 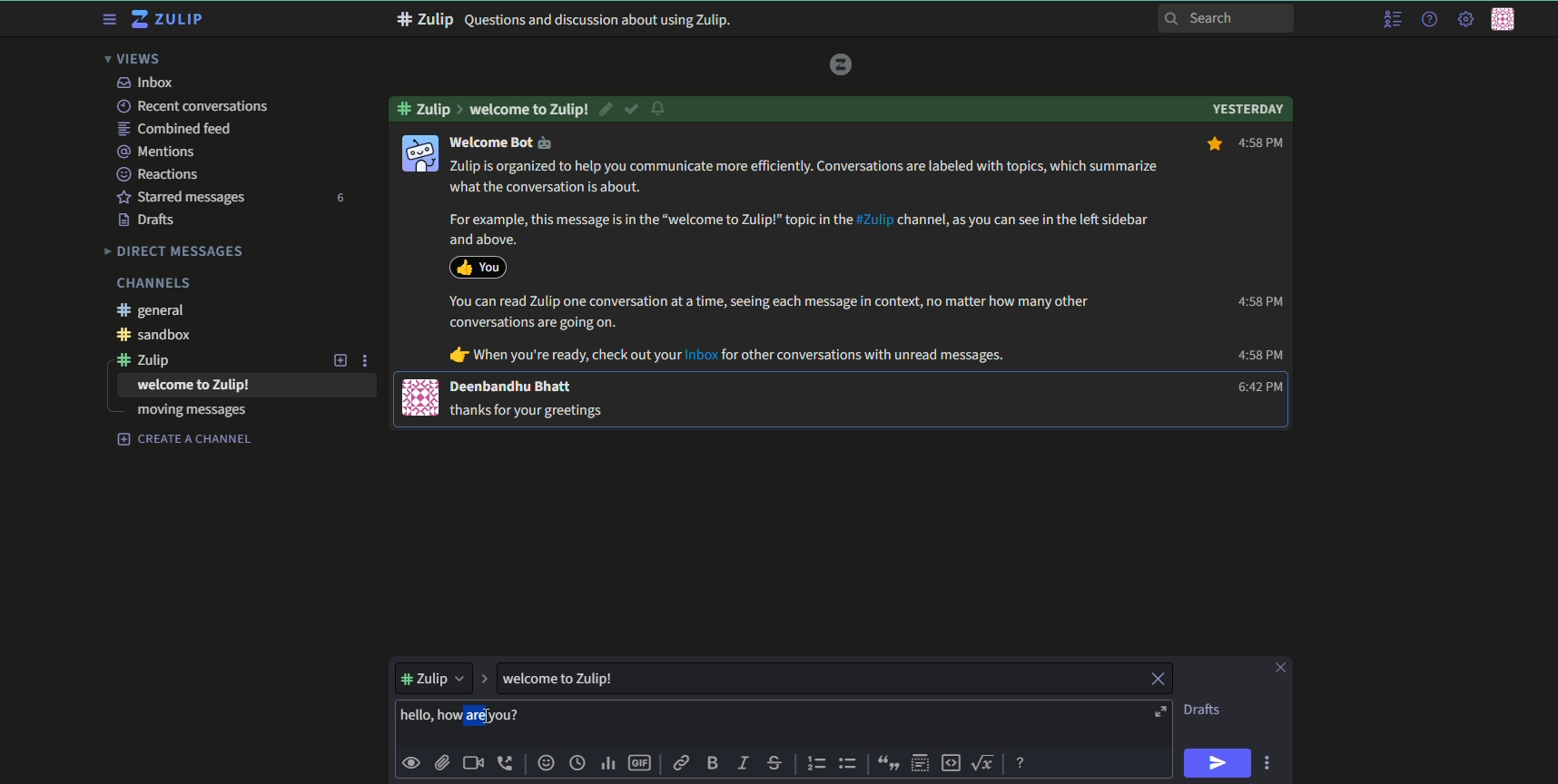 What do you see at coordinates (580, 678) in the screenshot?
I see `textbox` at bounding box center [580, 678].